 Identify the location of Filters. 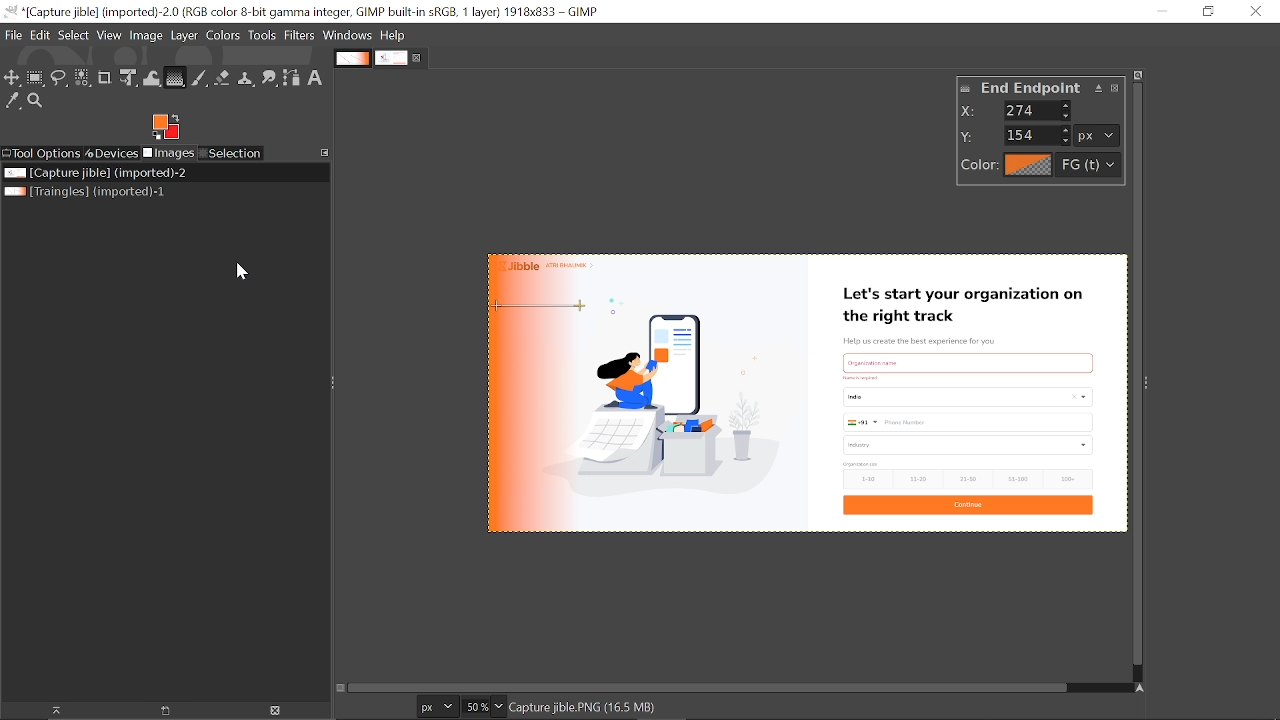
(302, 35).